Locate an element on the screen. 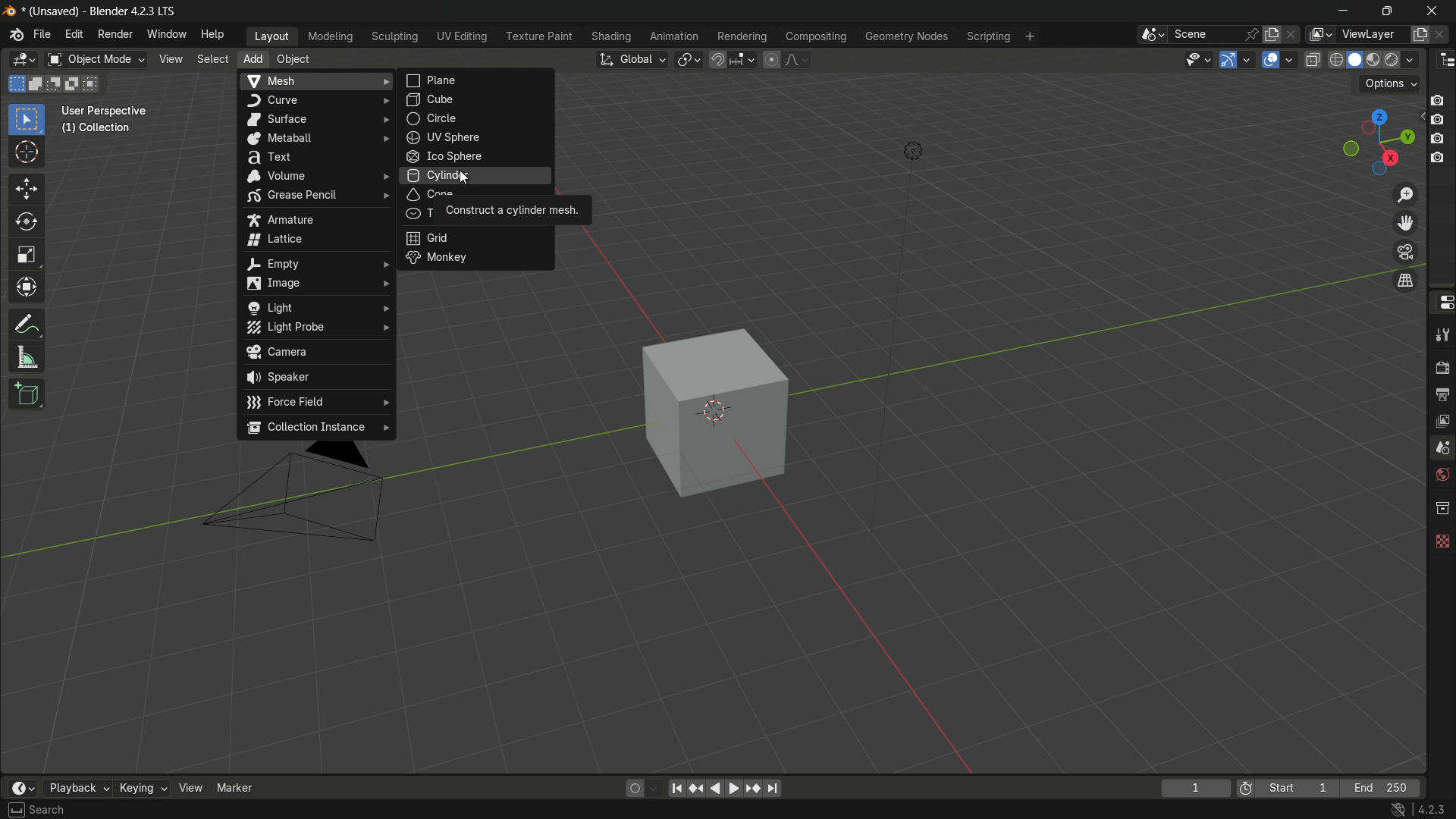 The height and width of the screenshot is (819, 1456). T is located at coordinates (419, 215).